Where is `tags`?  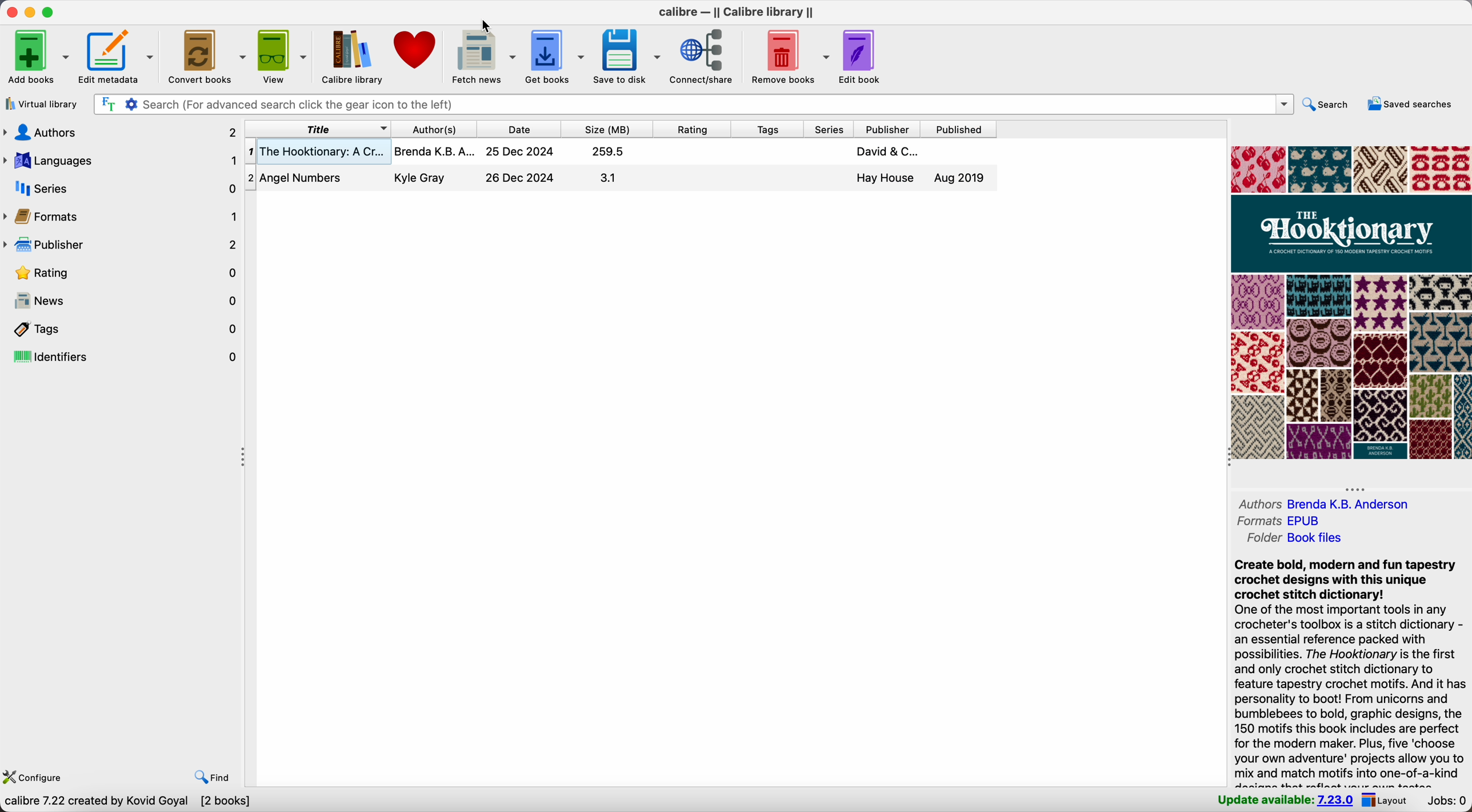 tags is located at coordinates (122, 329).